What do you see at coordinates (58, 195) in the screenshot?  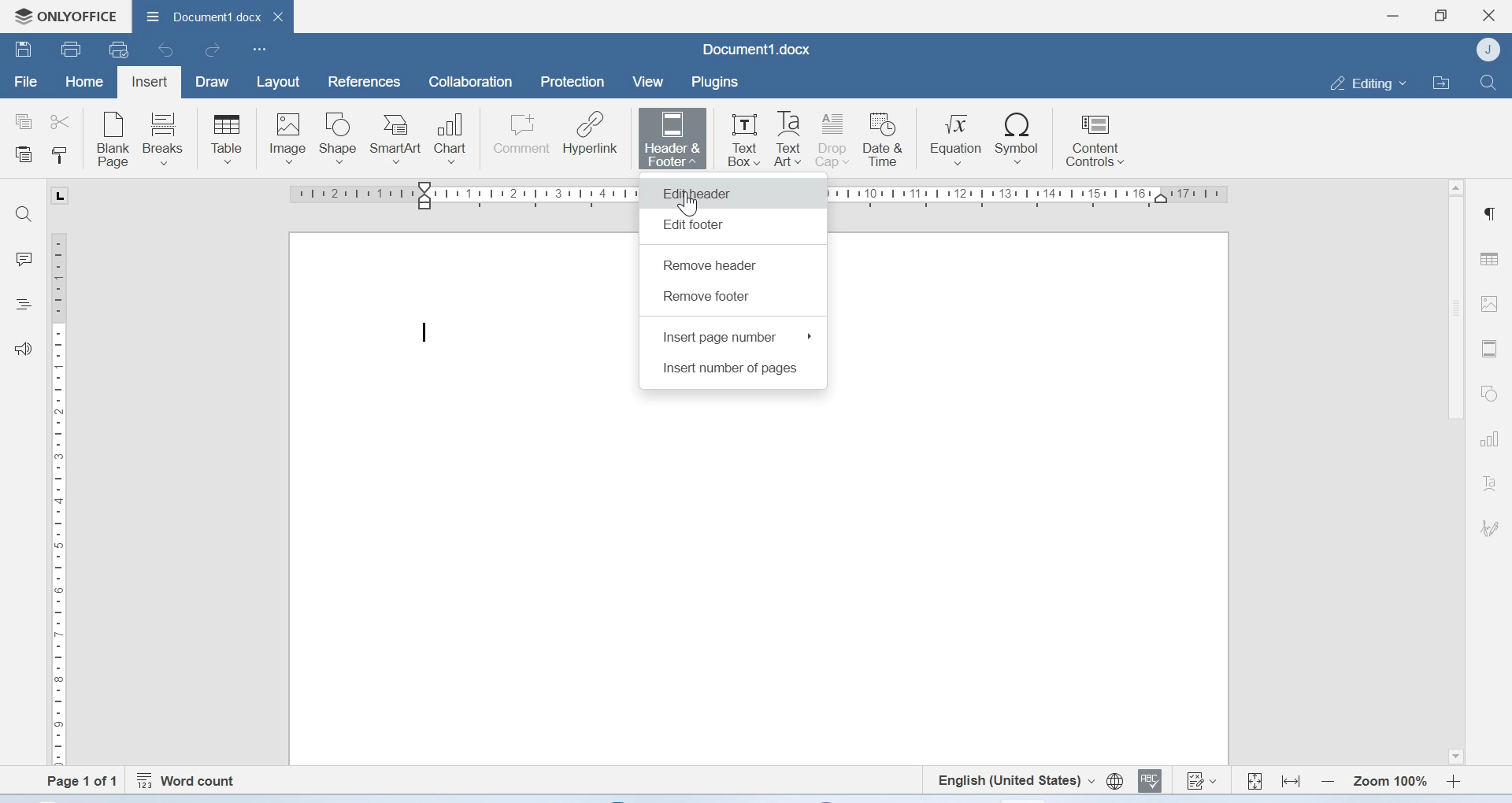 I see `L` at bounding box center [58, 195].